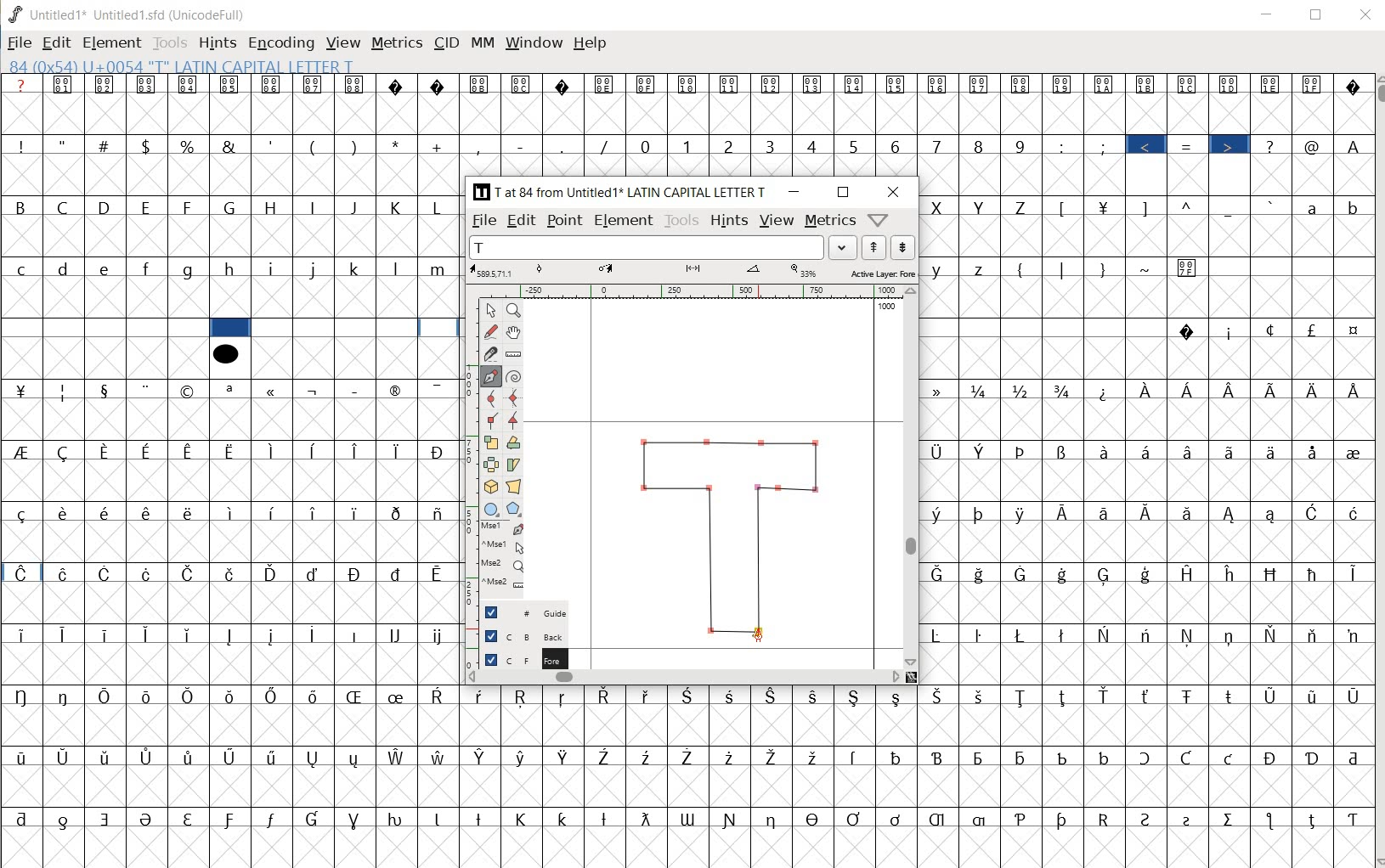 This screenshot has height=868, width=1385. Describe the element at coordinates (441, 636) in the screenshot. I see `Symbol` at that location.